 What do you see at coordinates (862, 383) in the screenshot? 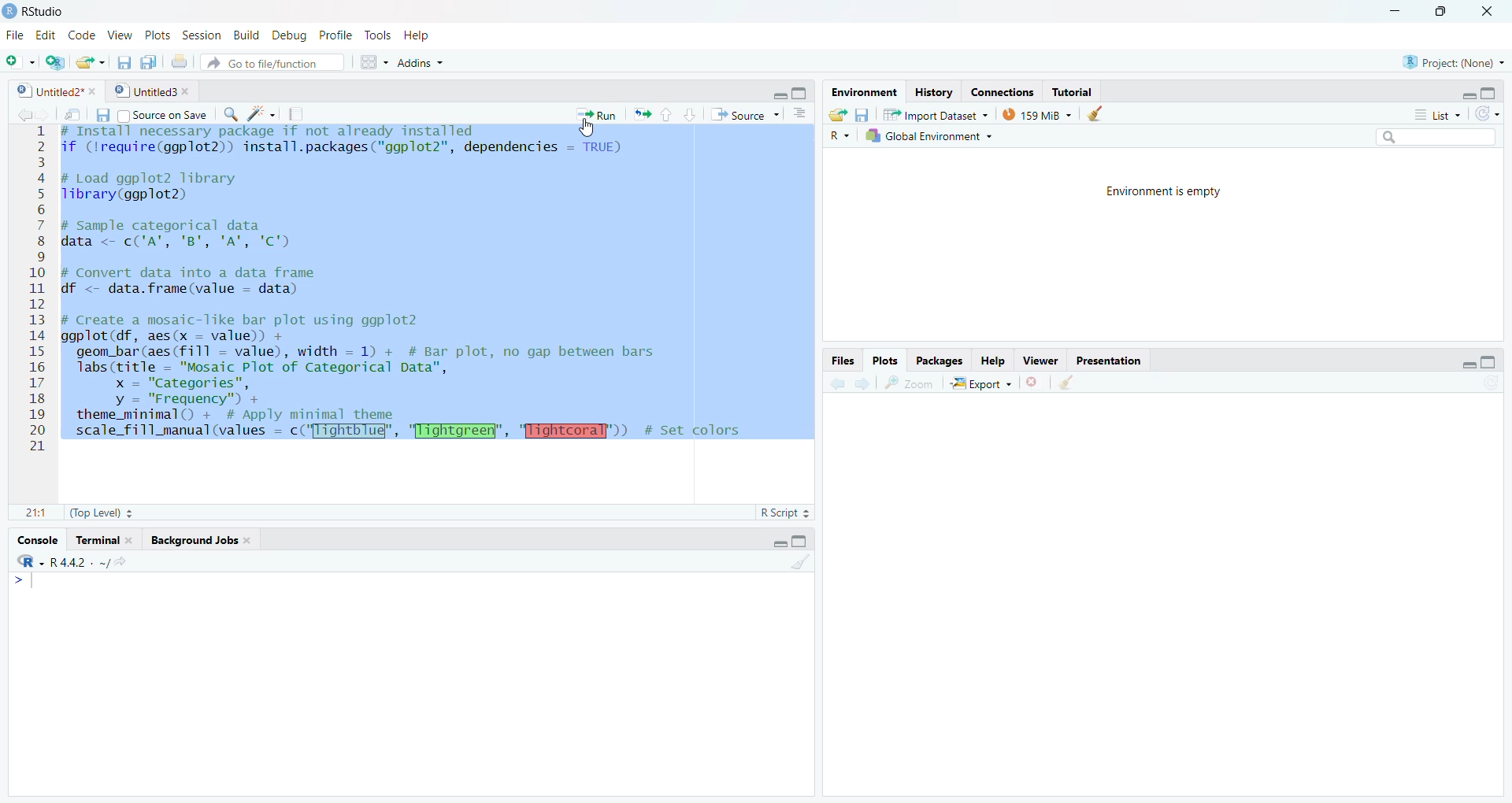
I see `Next` at bounding box center [862, 383].